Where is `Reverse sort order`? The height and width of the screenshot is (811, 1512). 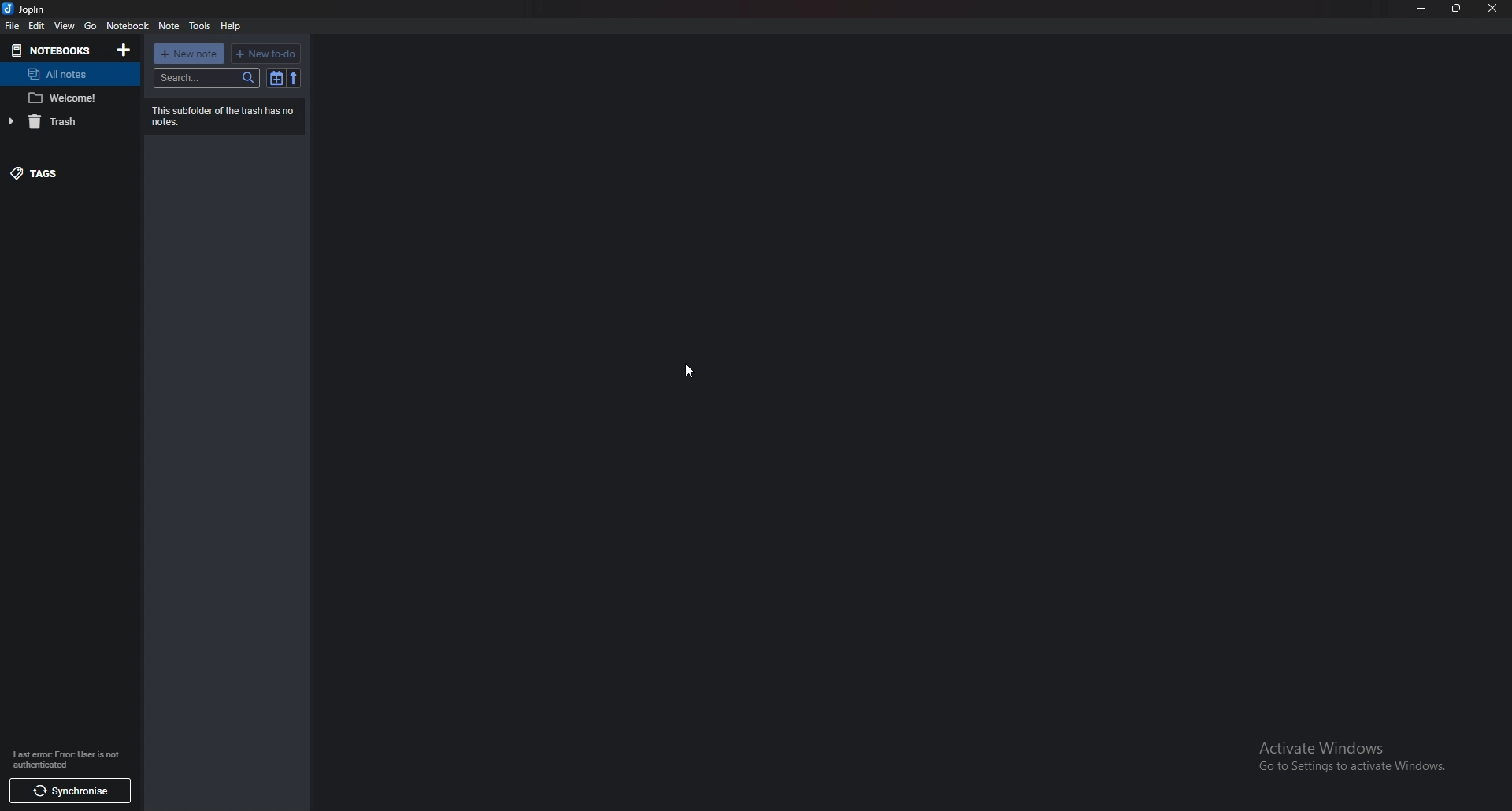 Reverse sort order is located at coordinates (295, 77).